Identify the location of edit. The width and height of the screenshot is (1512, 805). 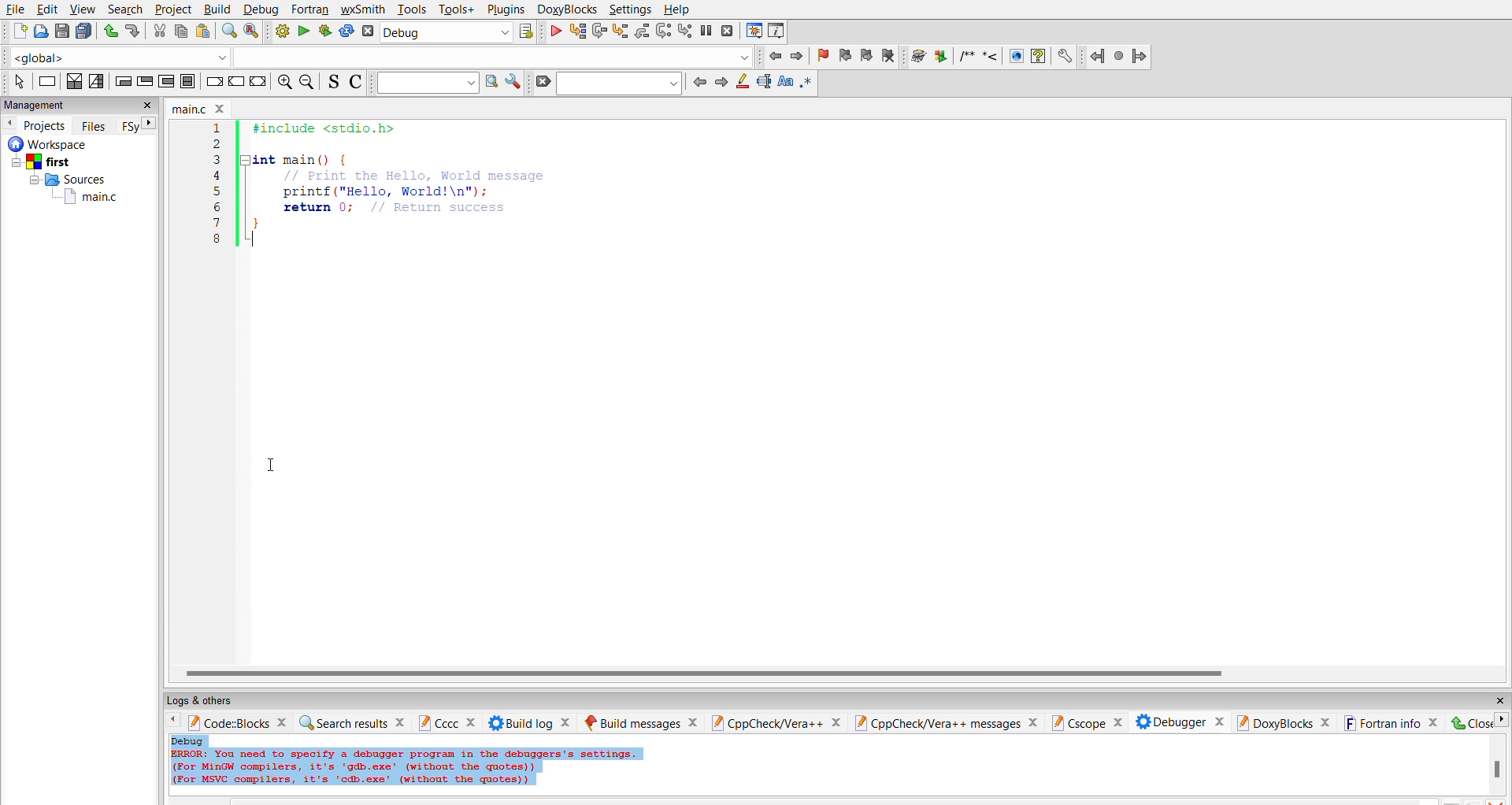
(47, 10).